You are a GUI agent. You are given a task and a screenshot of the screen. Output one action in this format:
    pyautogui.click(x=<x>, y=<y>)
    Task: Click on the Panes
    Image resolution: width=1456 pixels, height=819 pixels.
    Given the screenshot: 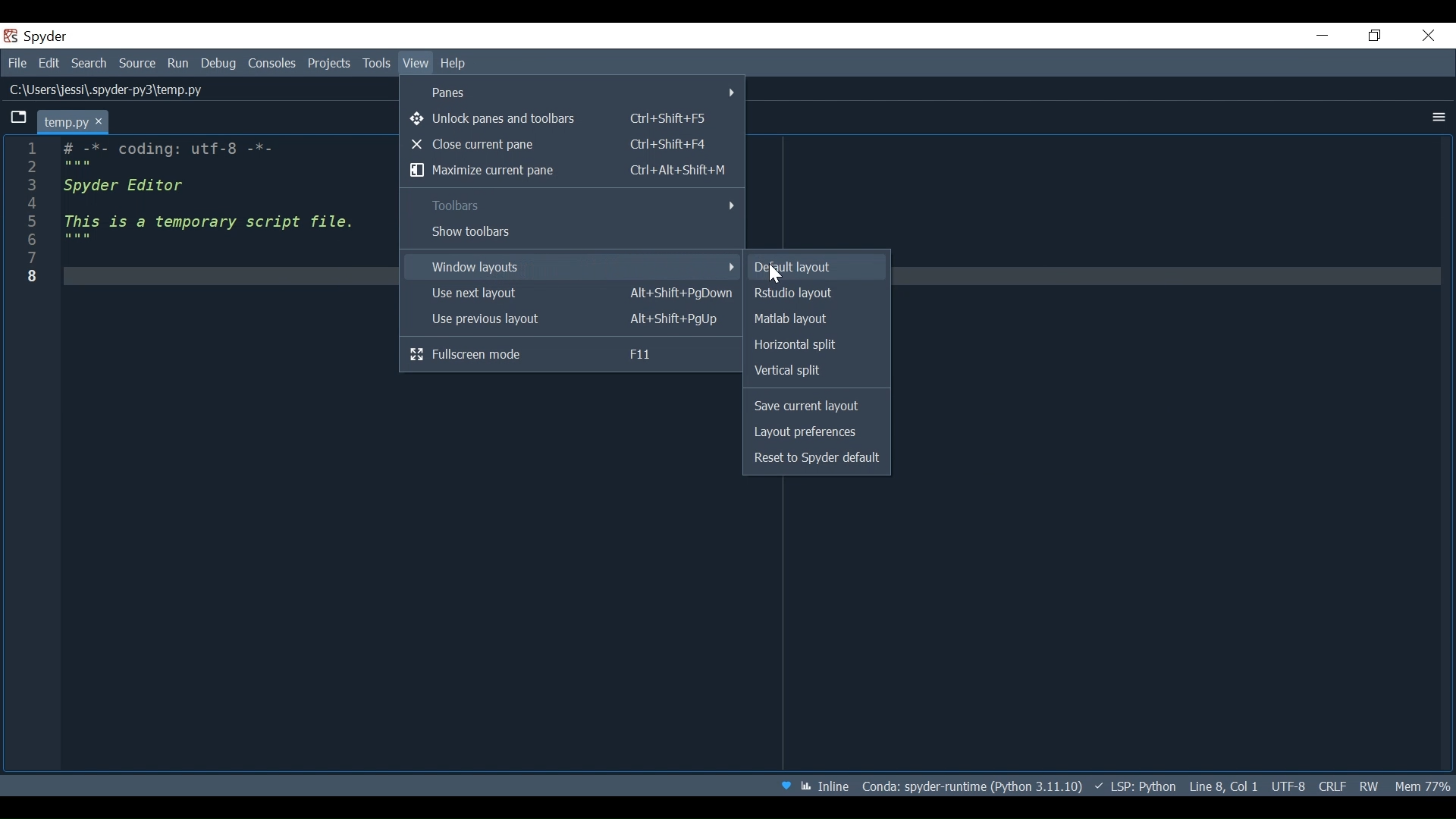 What is the action you would take?
    pyautogui.click(x=574, y=91)
    